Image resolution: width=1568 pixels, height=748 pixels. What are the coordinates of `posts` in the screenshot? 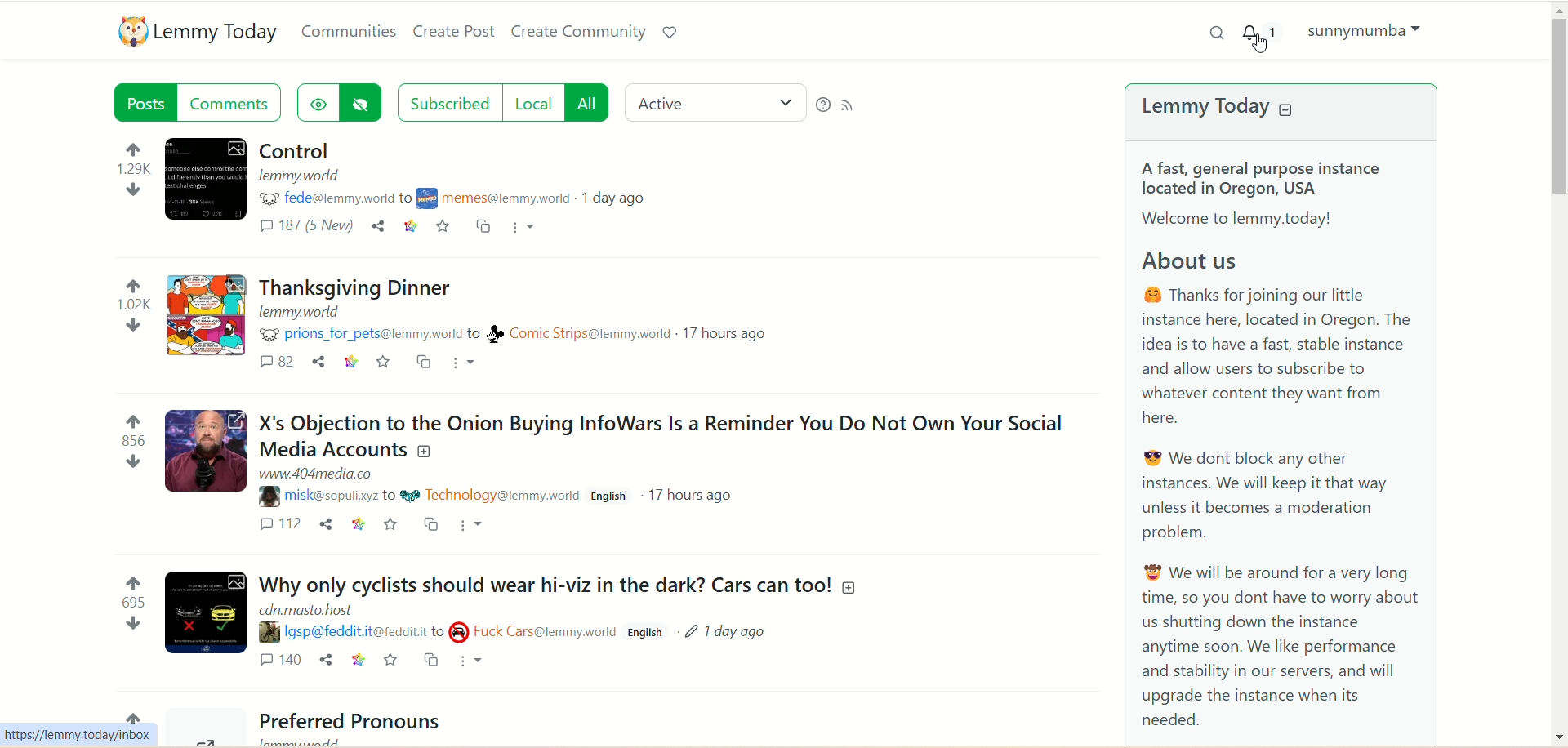 It's located at (145, 104).